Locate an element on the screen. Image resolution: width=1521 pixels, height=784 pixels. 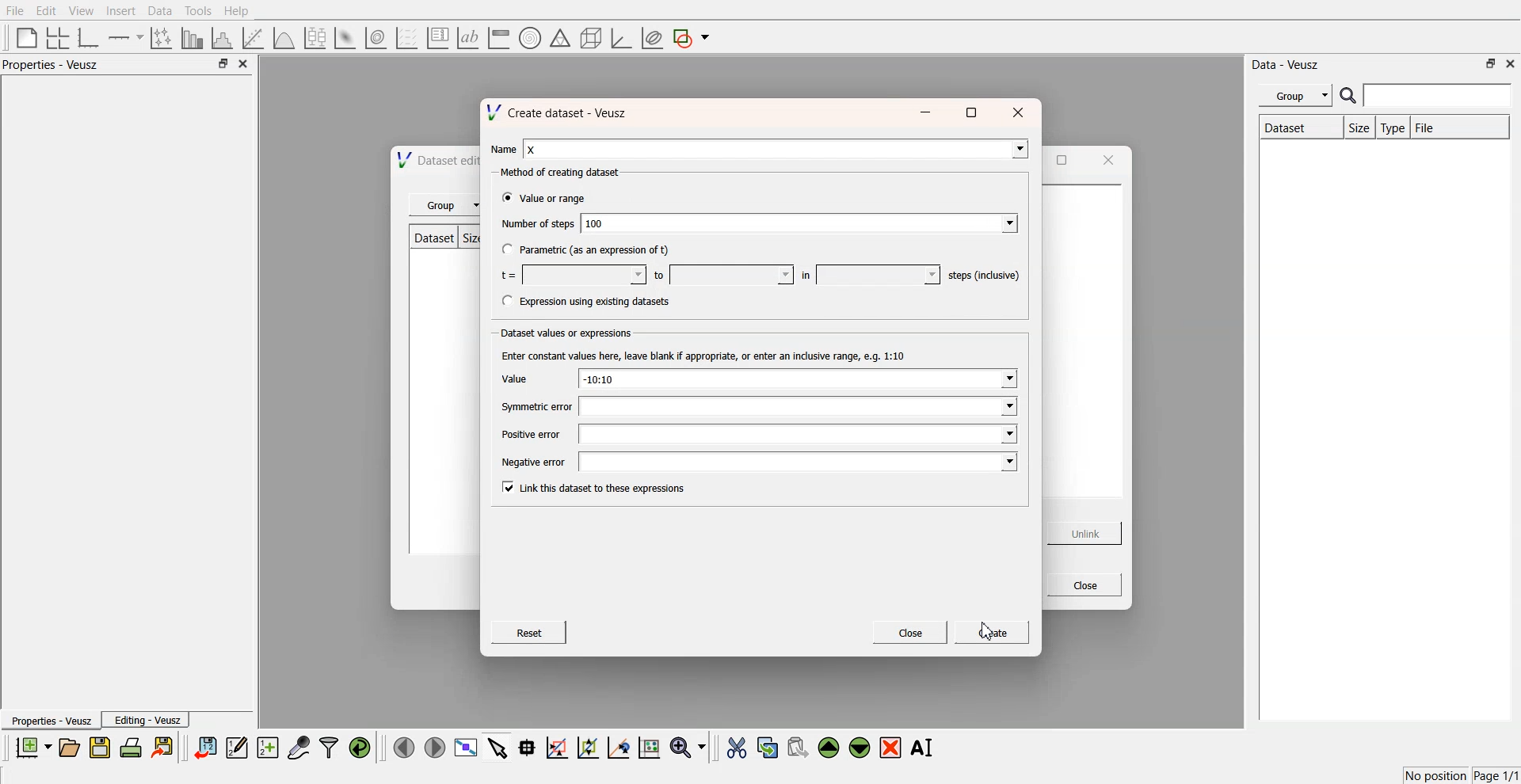
Enter constant values here, leave blank if appropriate, or enter an indusive range, e.g. 1:10 is located at coordinates (710, 355).